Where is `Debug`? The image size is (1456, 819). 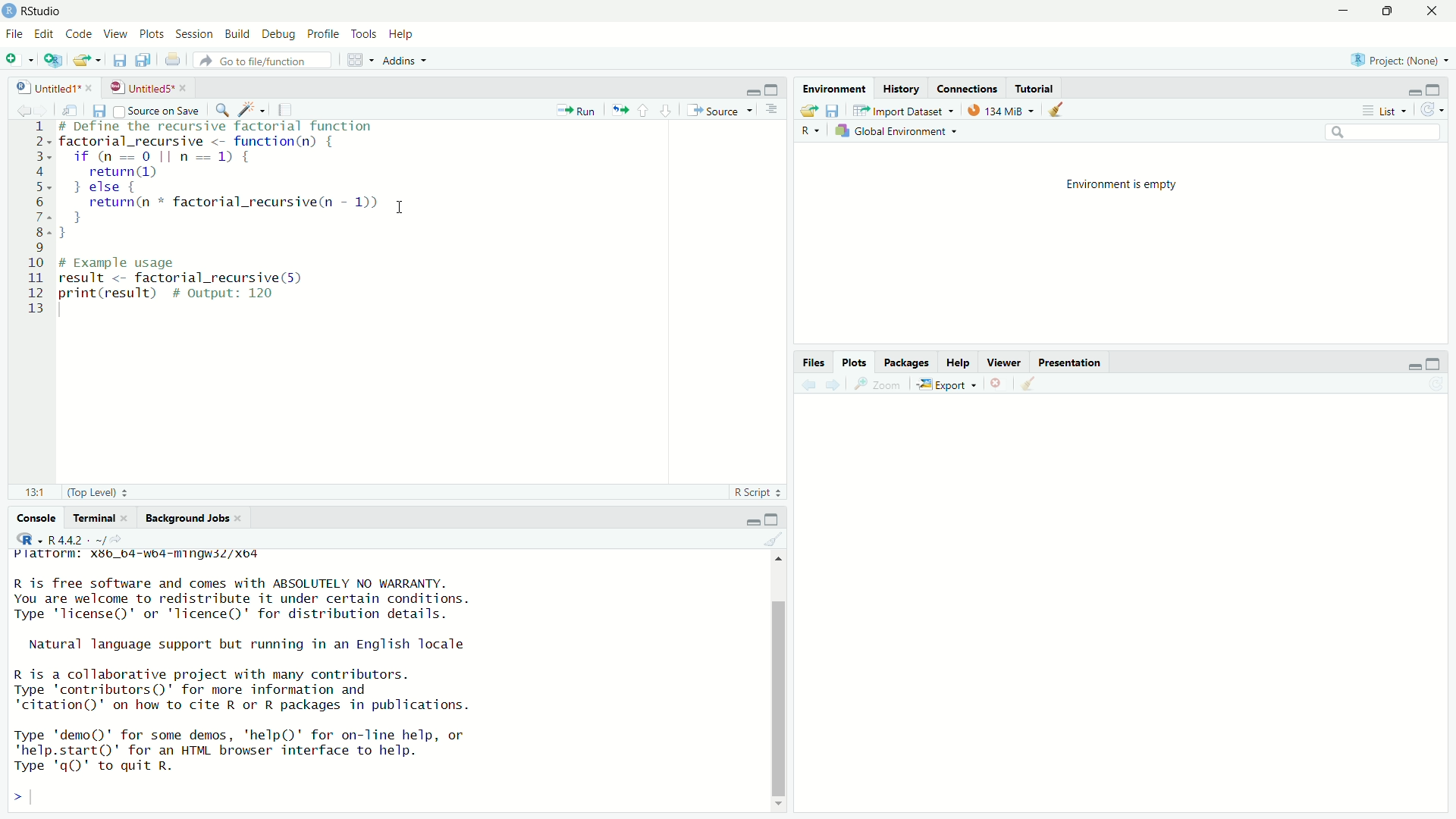 Debug is located at coordinates (277, 33).